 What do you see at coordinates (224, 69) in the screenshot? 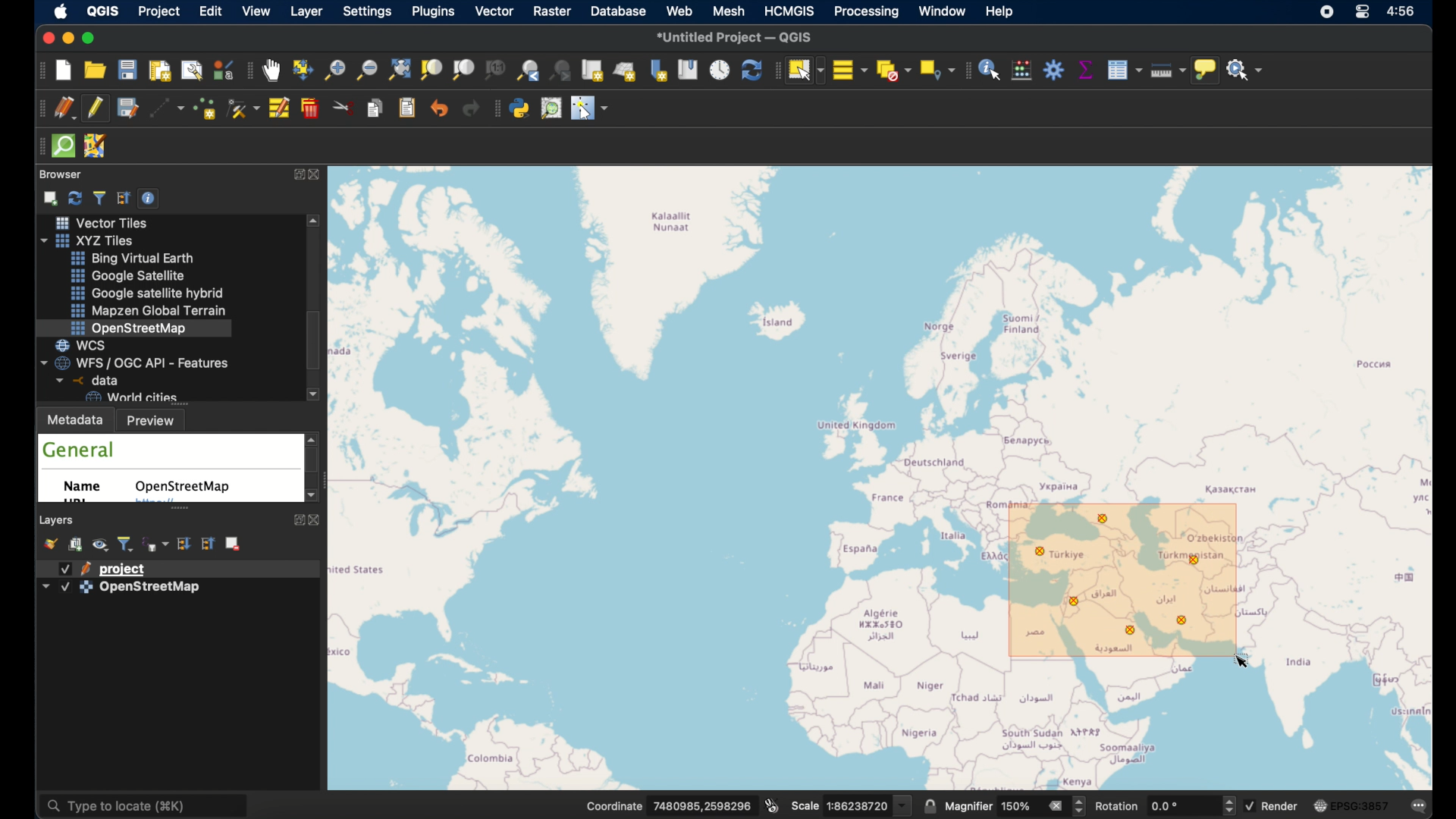
I see `style manager` at bounding box center [224, 69].